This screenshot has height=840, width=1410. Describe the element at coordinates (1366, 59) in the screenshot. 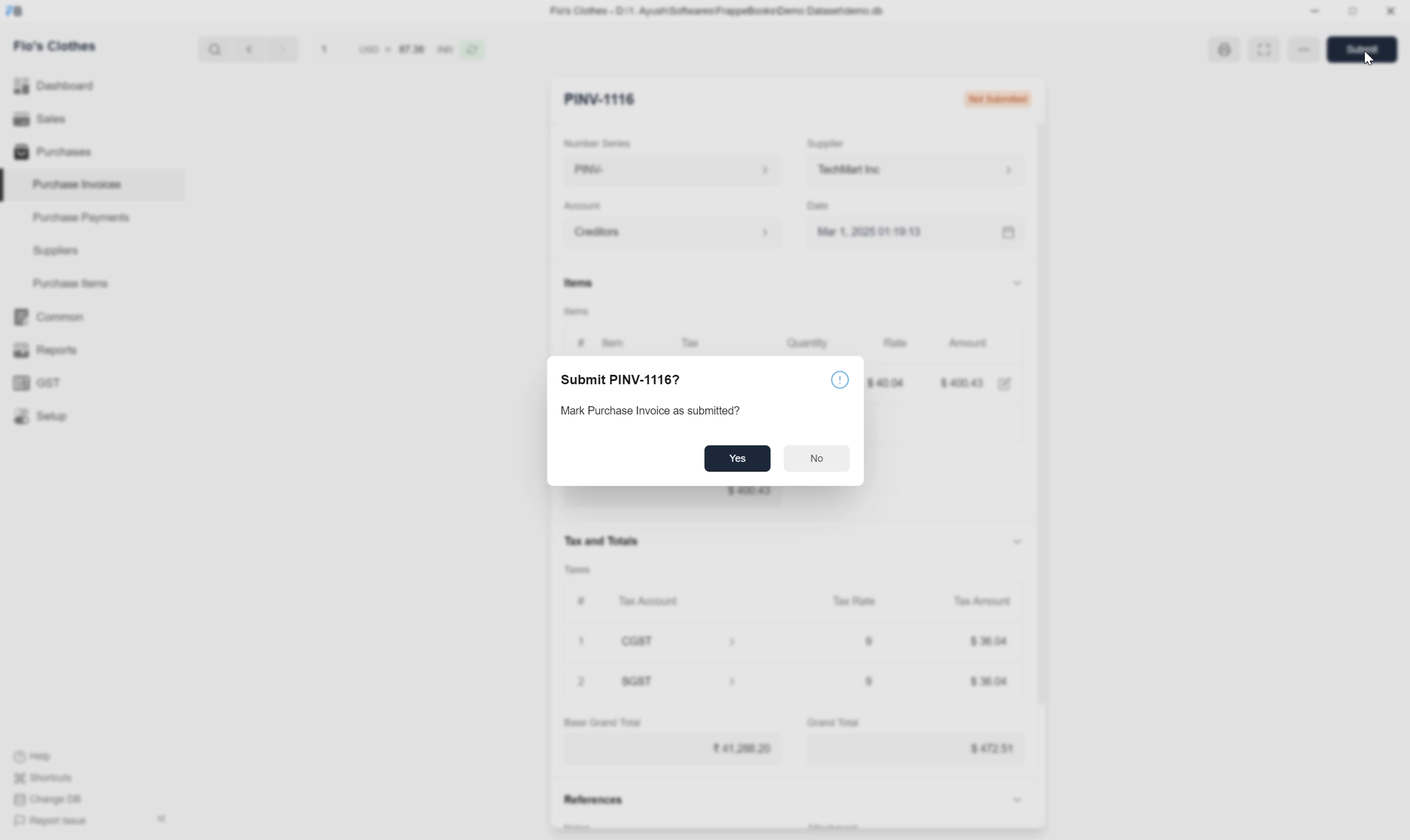

I see `cursor` at that location.